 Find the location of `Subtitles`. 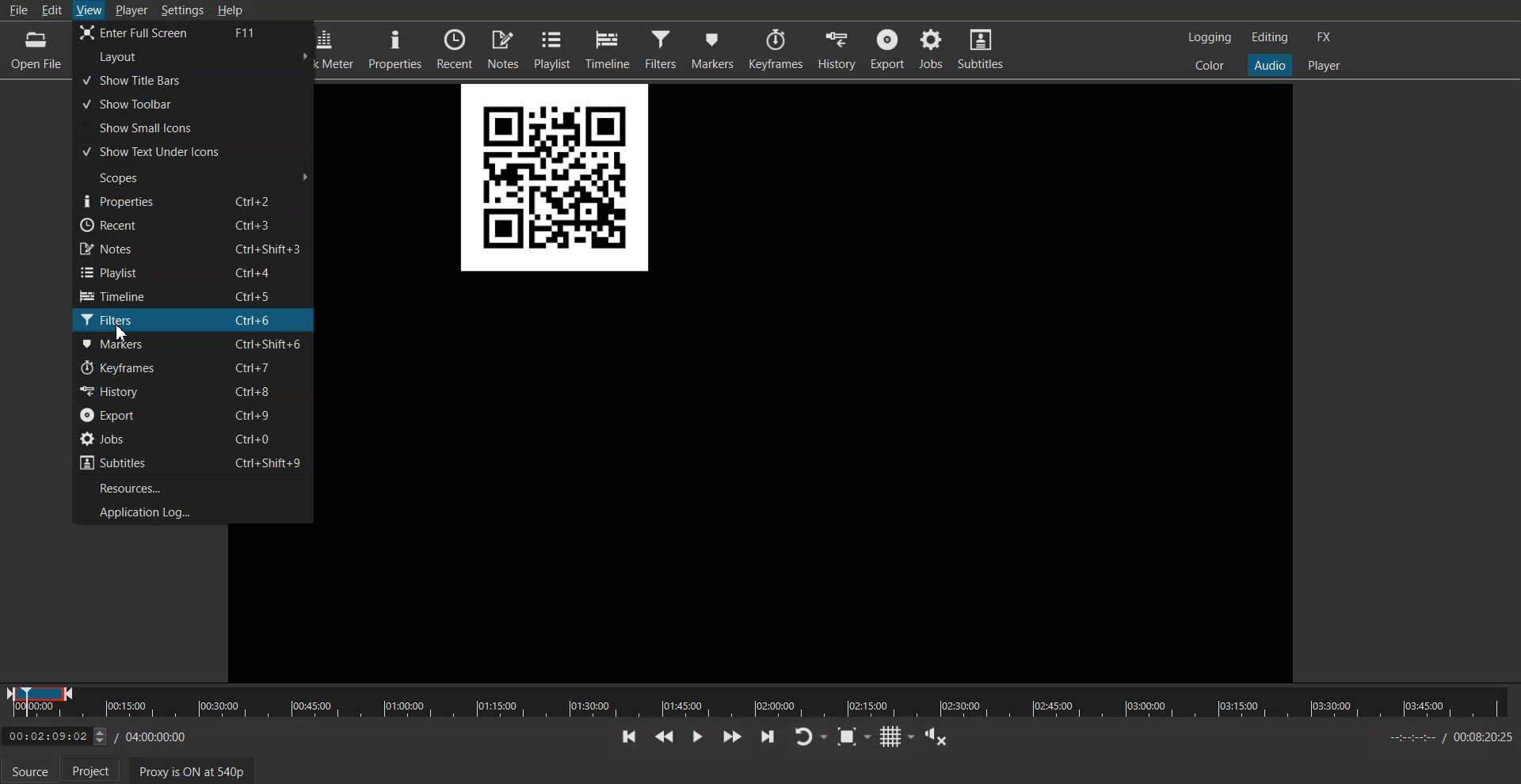

Subtitles is located at coordinates (193, 462).